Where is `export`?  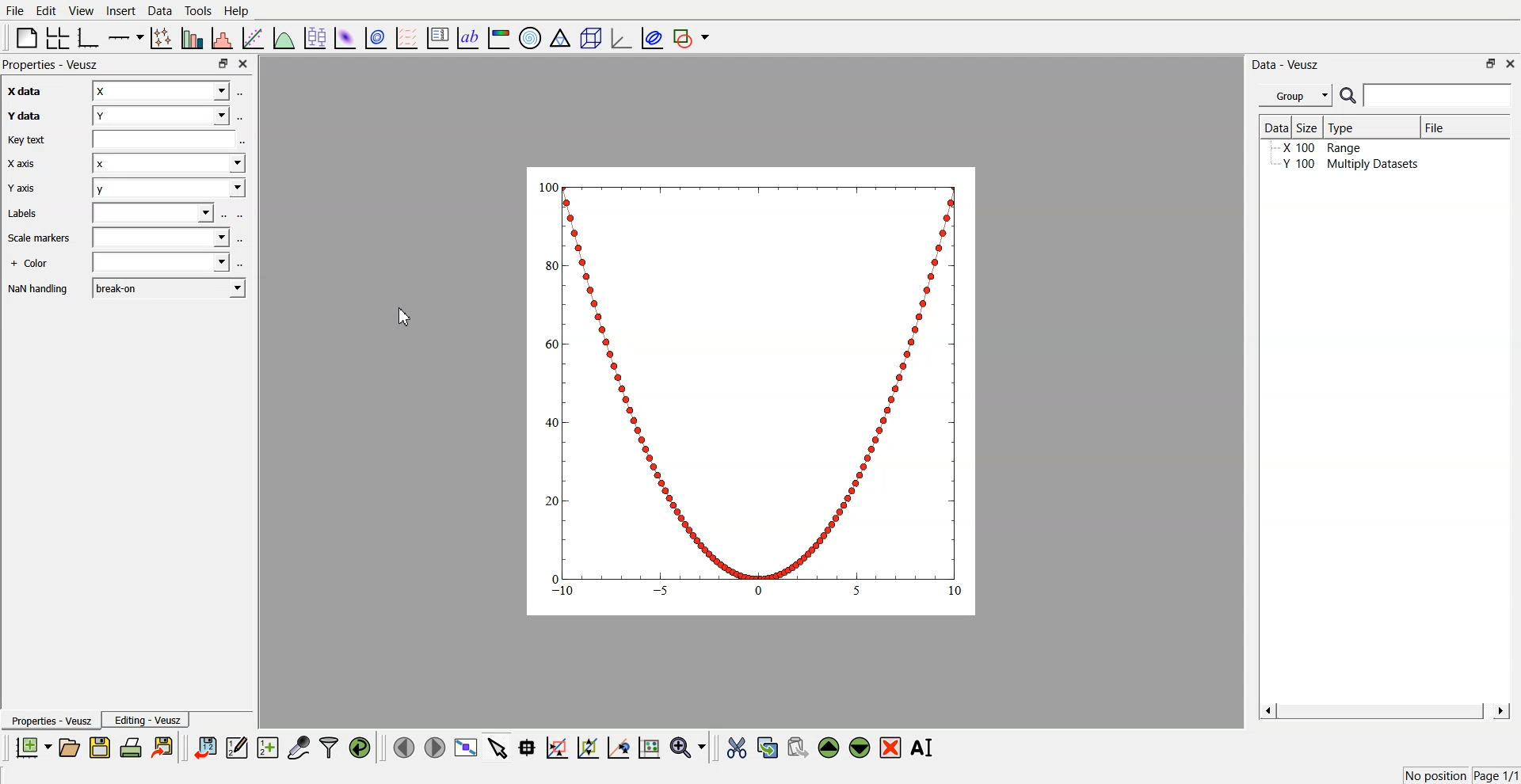 export is located at coordinates (164, 747).